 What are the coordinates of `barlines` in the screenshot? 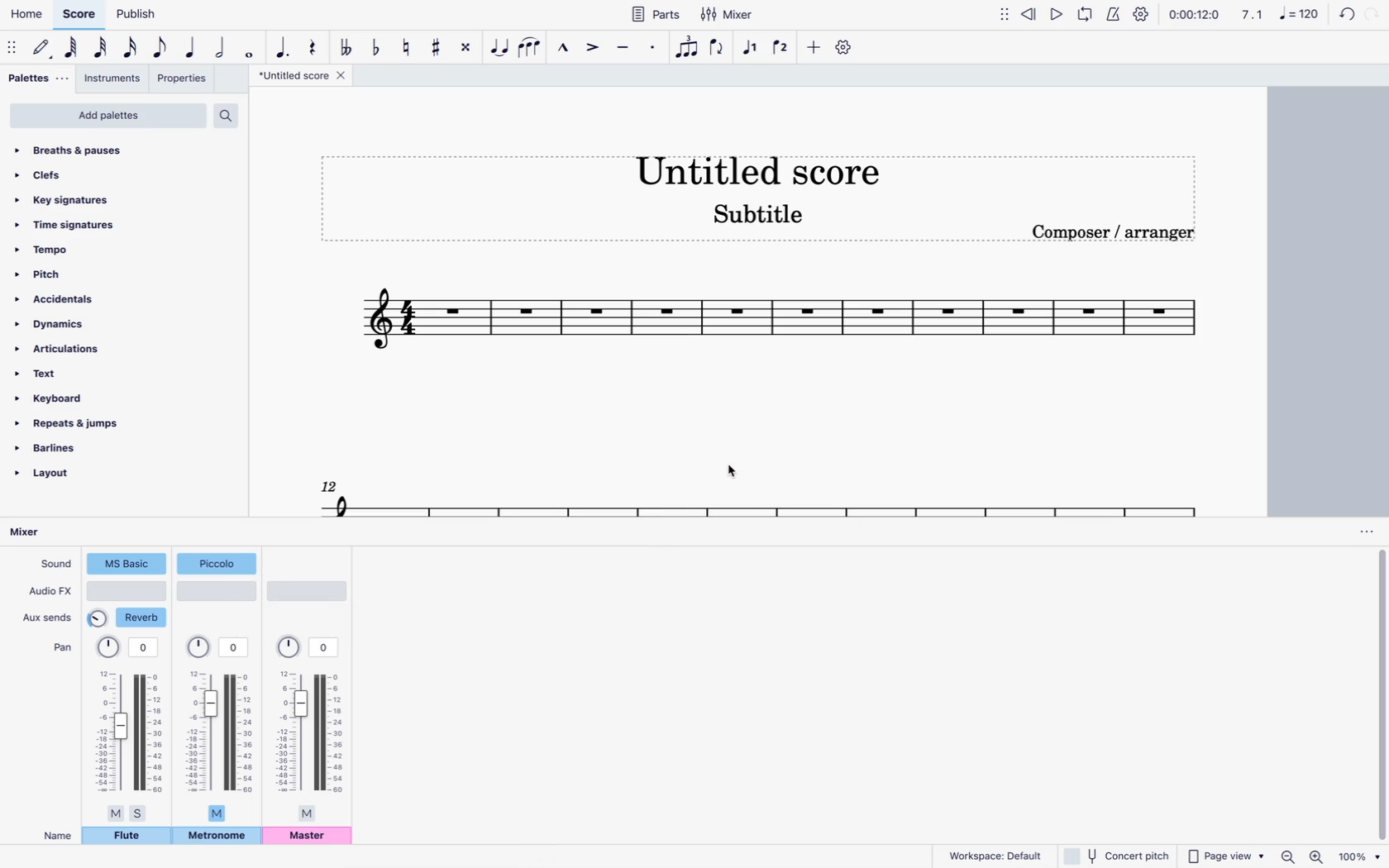 It's located at (79, 447).